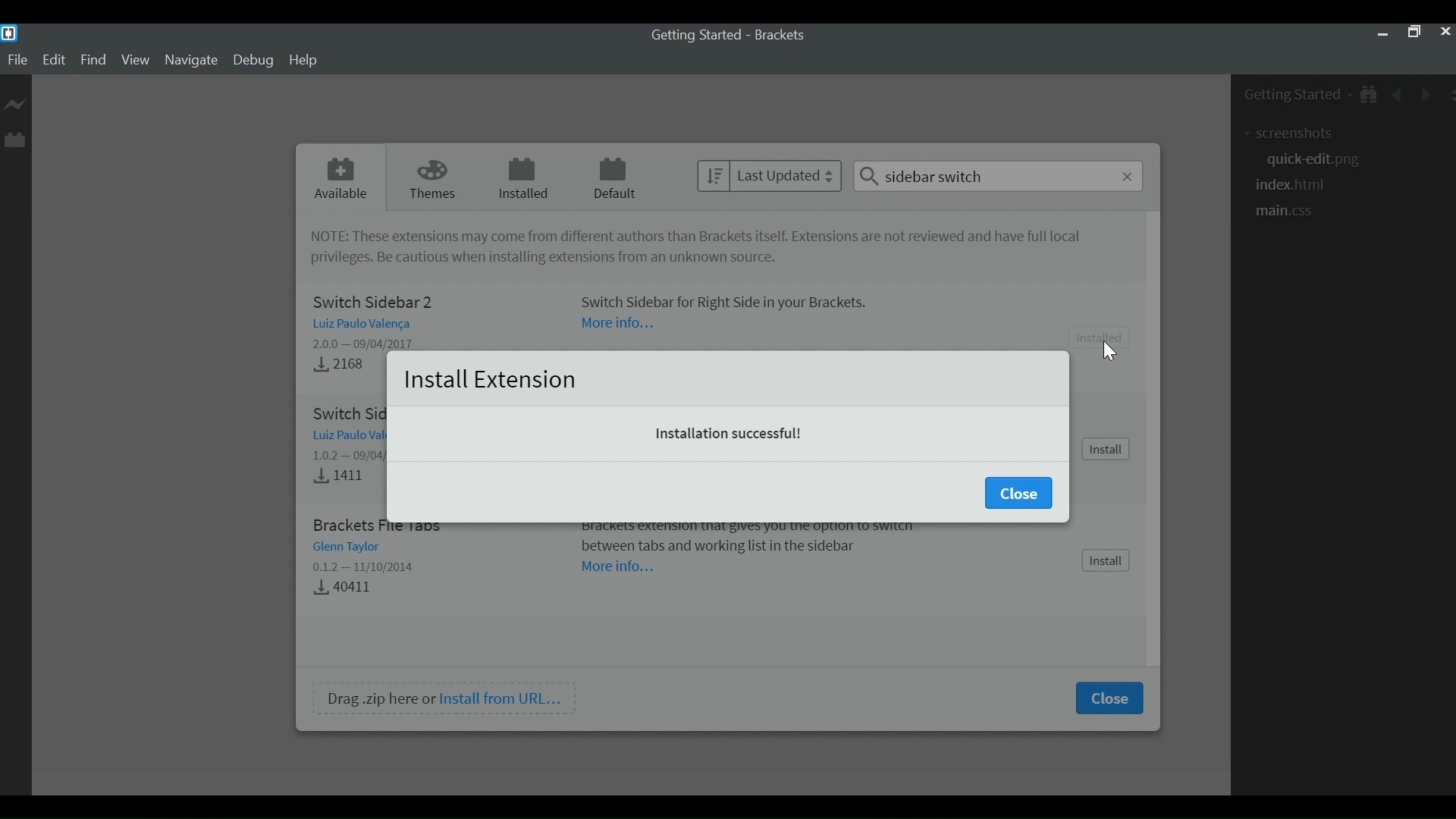 This screenshot has width=1456, height=819. I want to click on extensions, so click(1302, 131).